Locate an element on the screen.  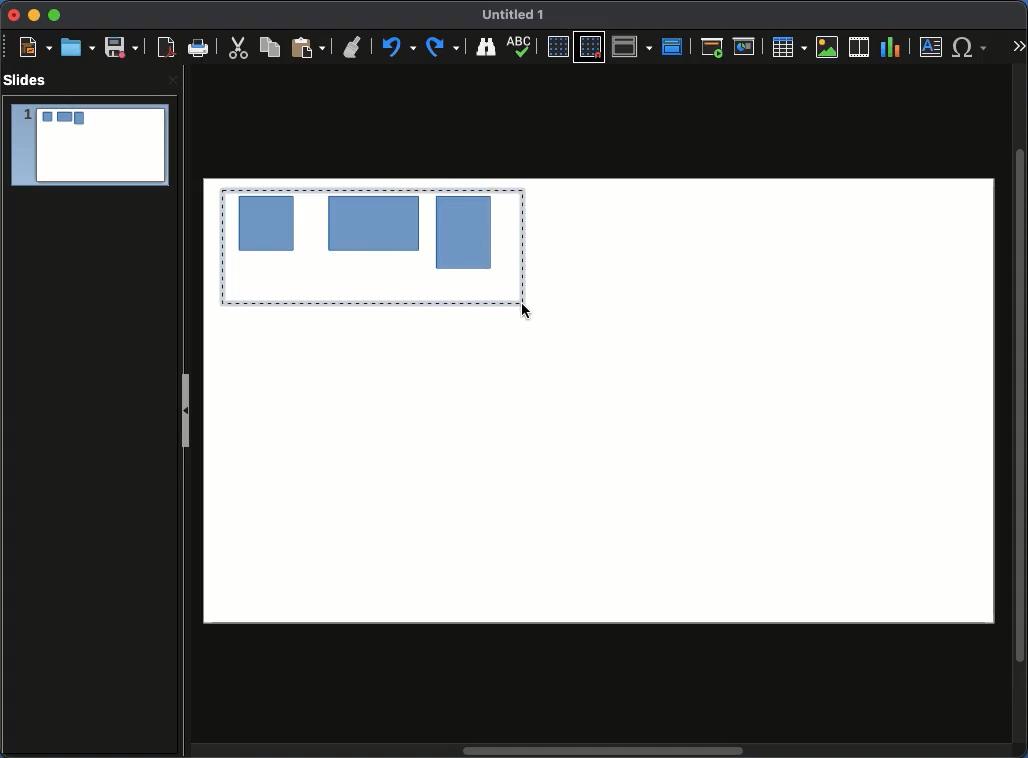
Export directly as PDF is located at coordinates (163, 48).